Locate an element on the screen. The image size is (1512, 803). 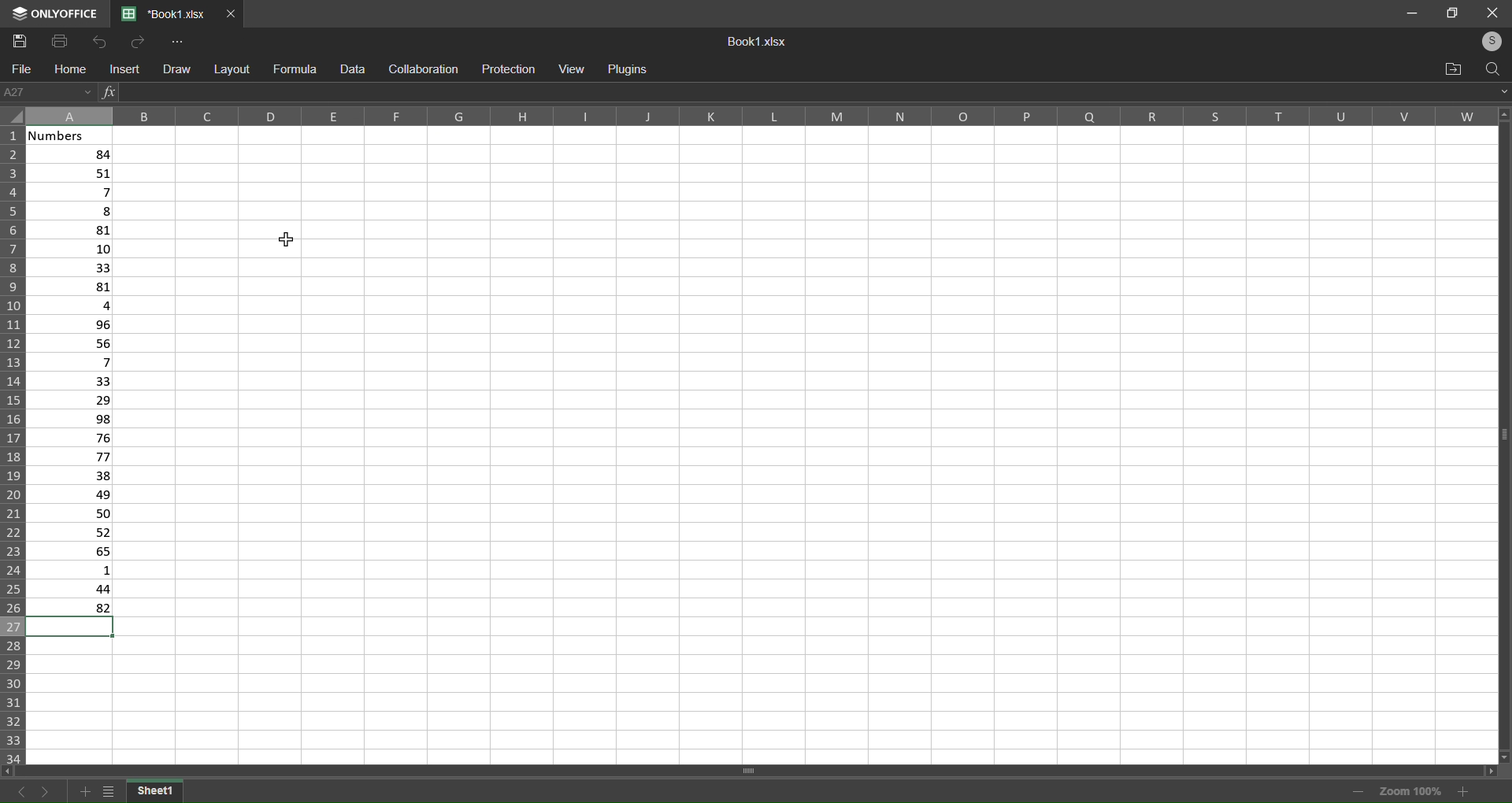
Save is located at coordinates (21, 40).